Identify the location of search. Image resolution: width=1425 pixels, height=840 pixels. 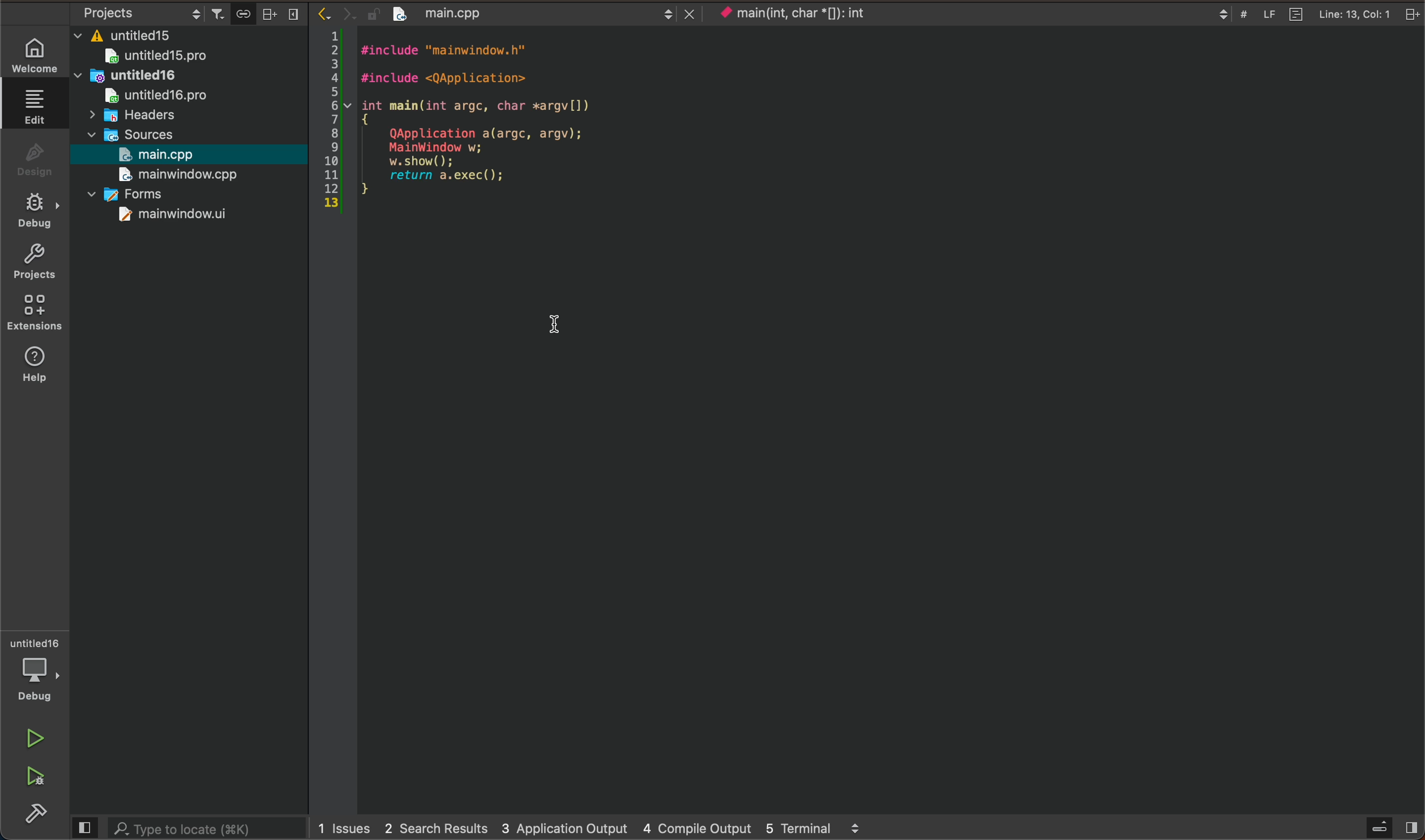
(203, 829).